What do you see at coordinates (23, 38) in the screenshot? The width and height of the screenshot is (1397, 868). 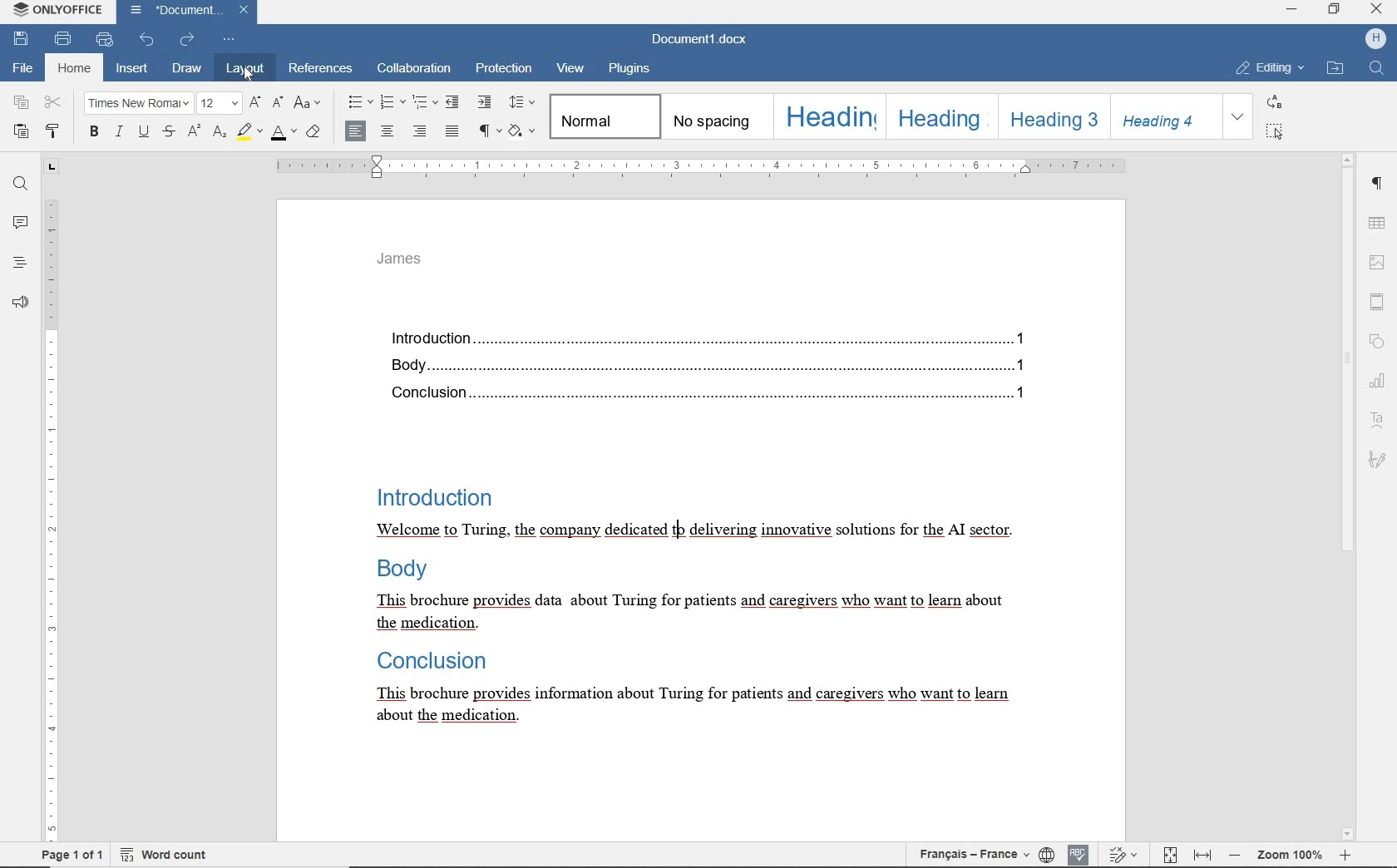 I see `save` at bounding box center [23, 38].